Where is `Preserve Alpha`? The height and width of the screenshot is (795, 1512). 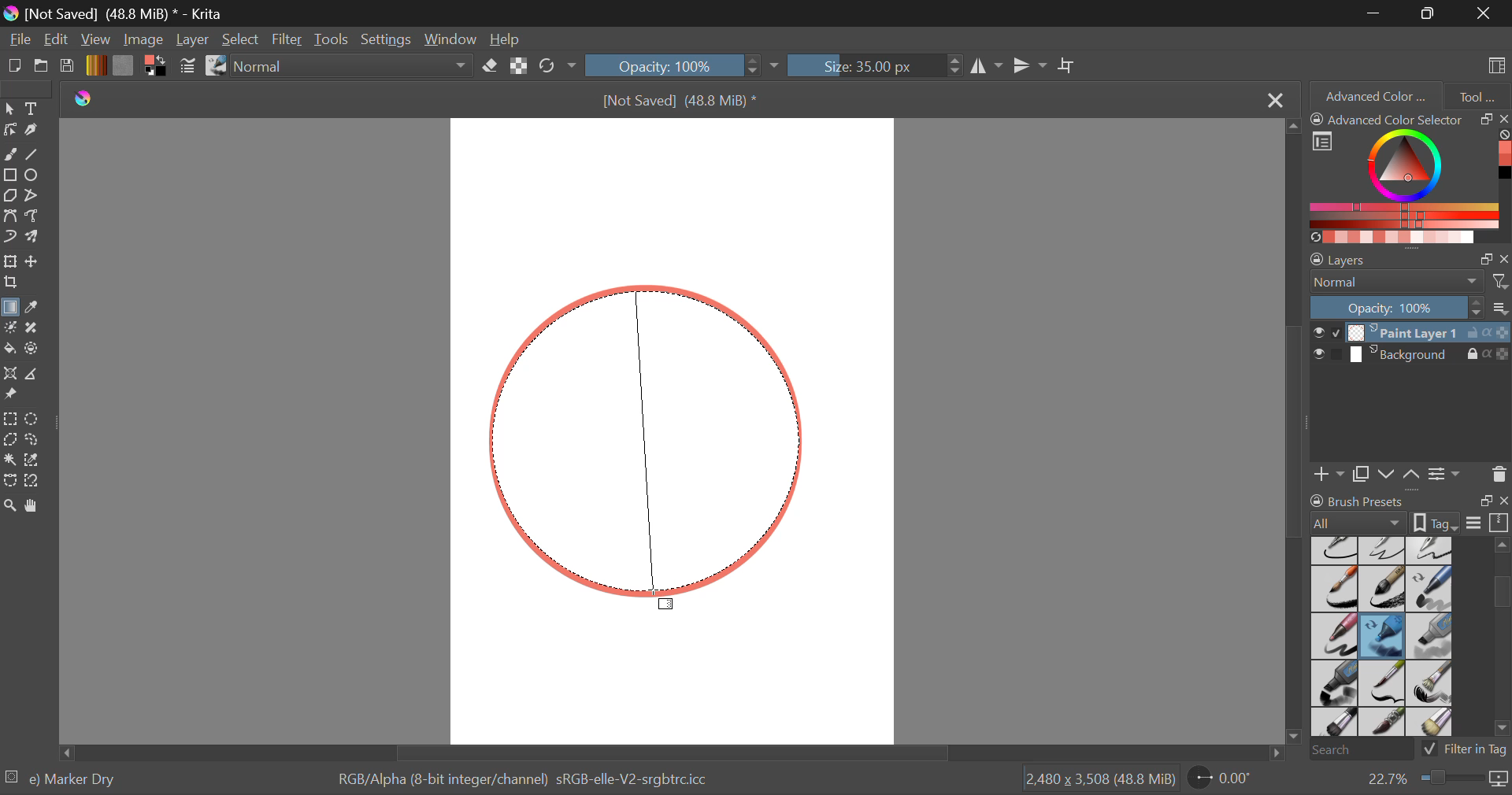 Preserve Alpha is located at coordinates (518, 66).